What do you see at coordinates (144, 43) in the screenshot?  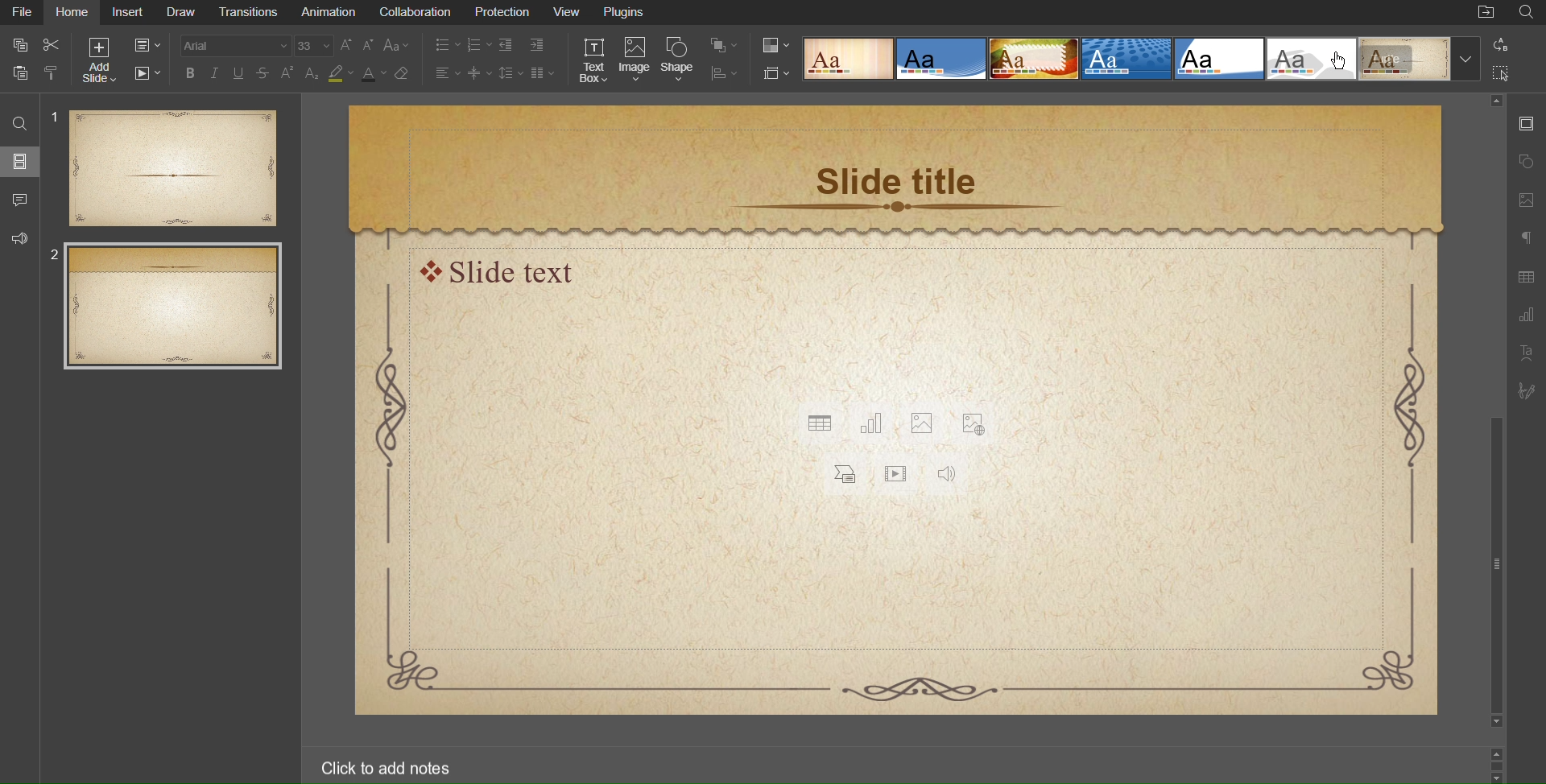 I see `Slide Settings` at bounding box center [144, 43].